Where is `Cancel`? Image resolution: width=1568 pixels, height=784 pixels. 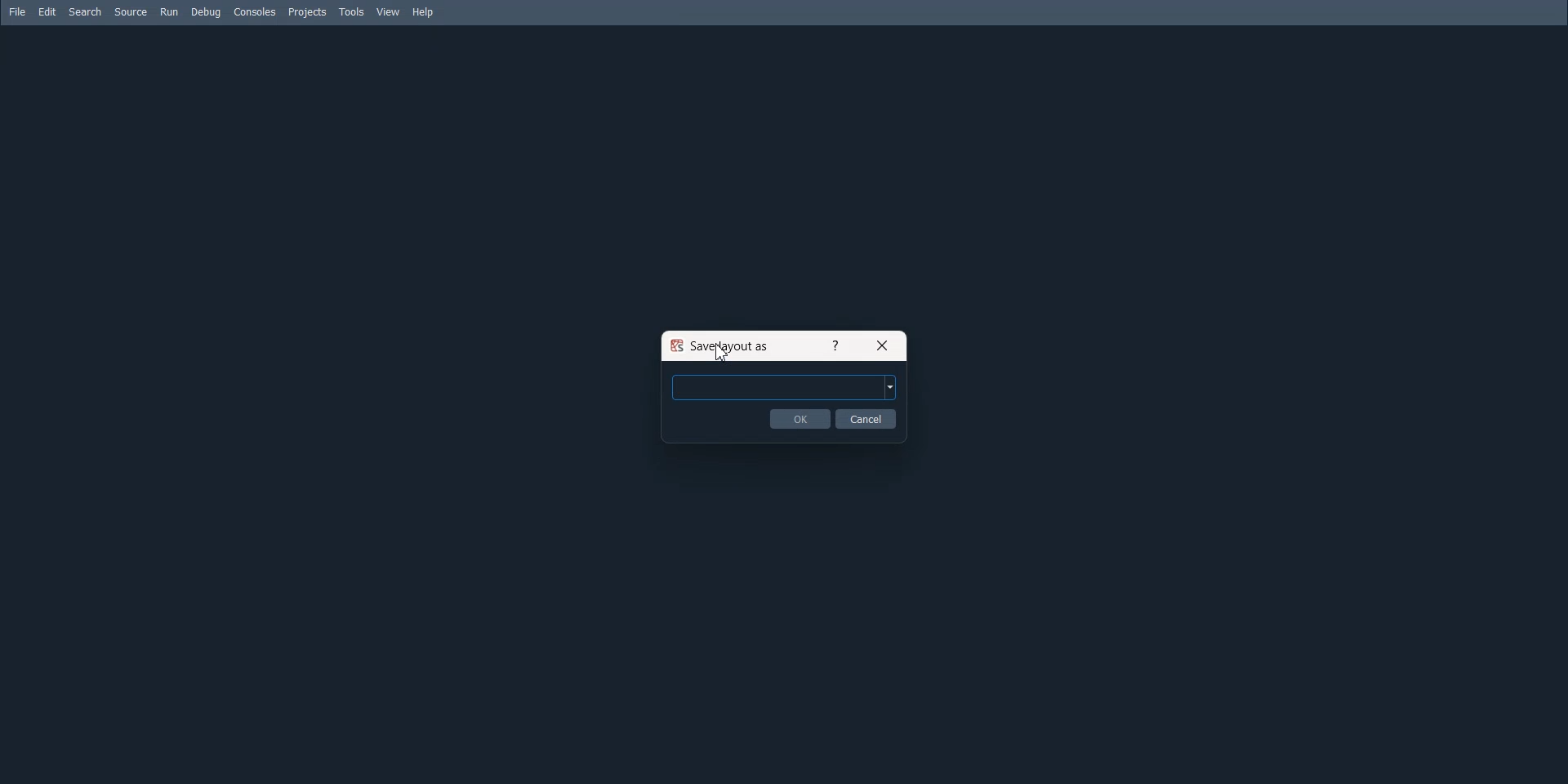 Cancel is located at coordinates (866, 418).